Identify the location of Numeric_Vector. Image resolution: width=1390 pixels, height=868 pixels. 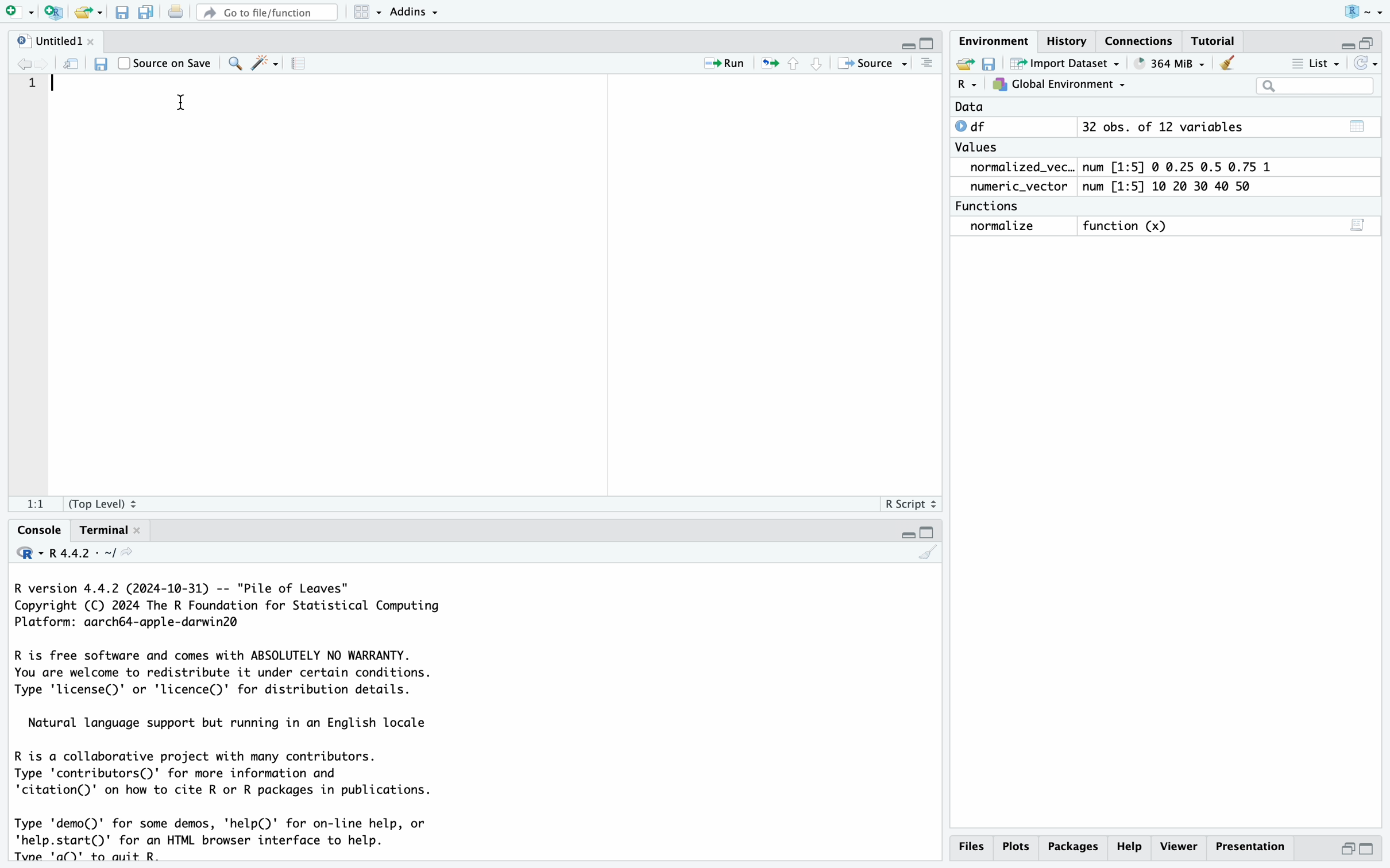
(1014, 187).